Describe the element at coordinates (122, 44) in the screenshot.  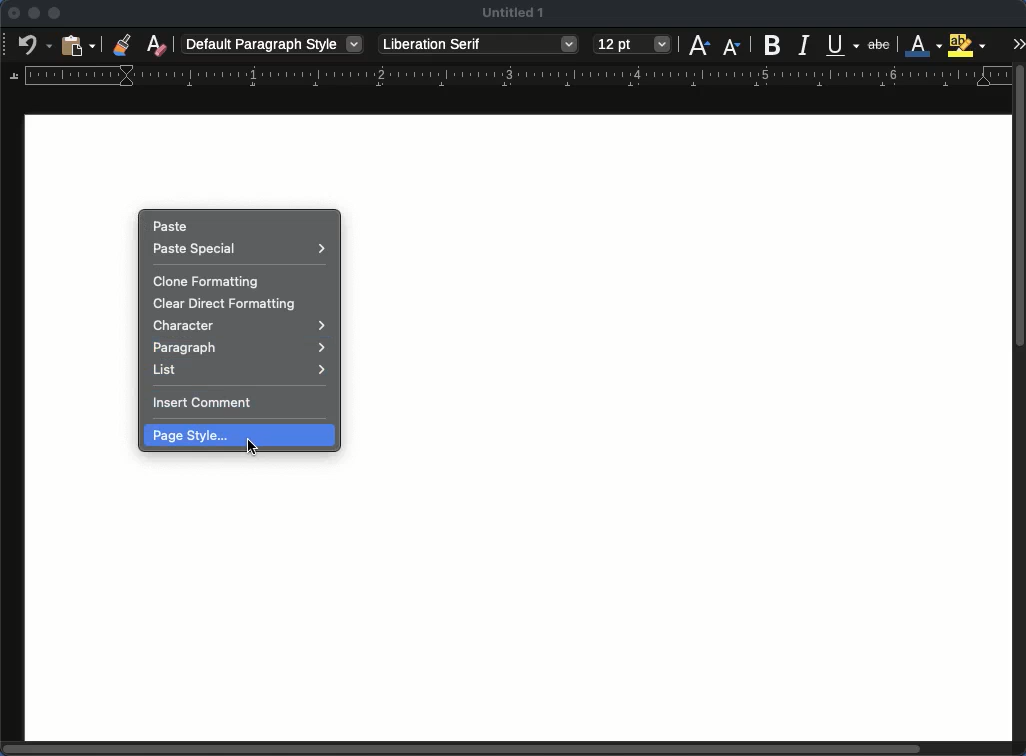
I see `clone formatting` at that location.